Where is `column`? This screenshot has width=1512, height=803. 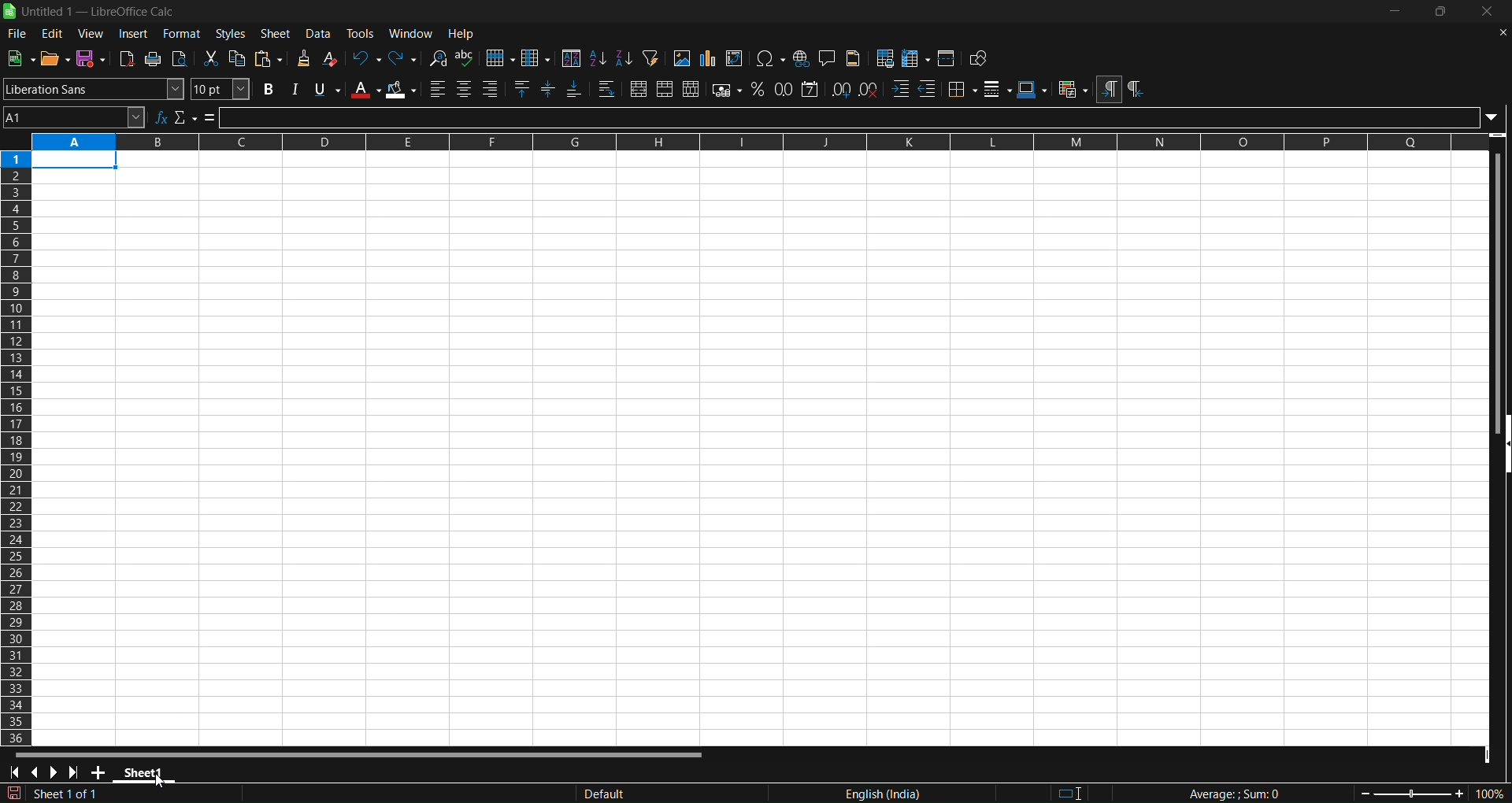
column is located at coordinates (537, 57).